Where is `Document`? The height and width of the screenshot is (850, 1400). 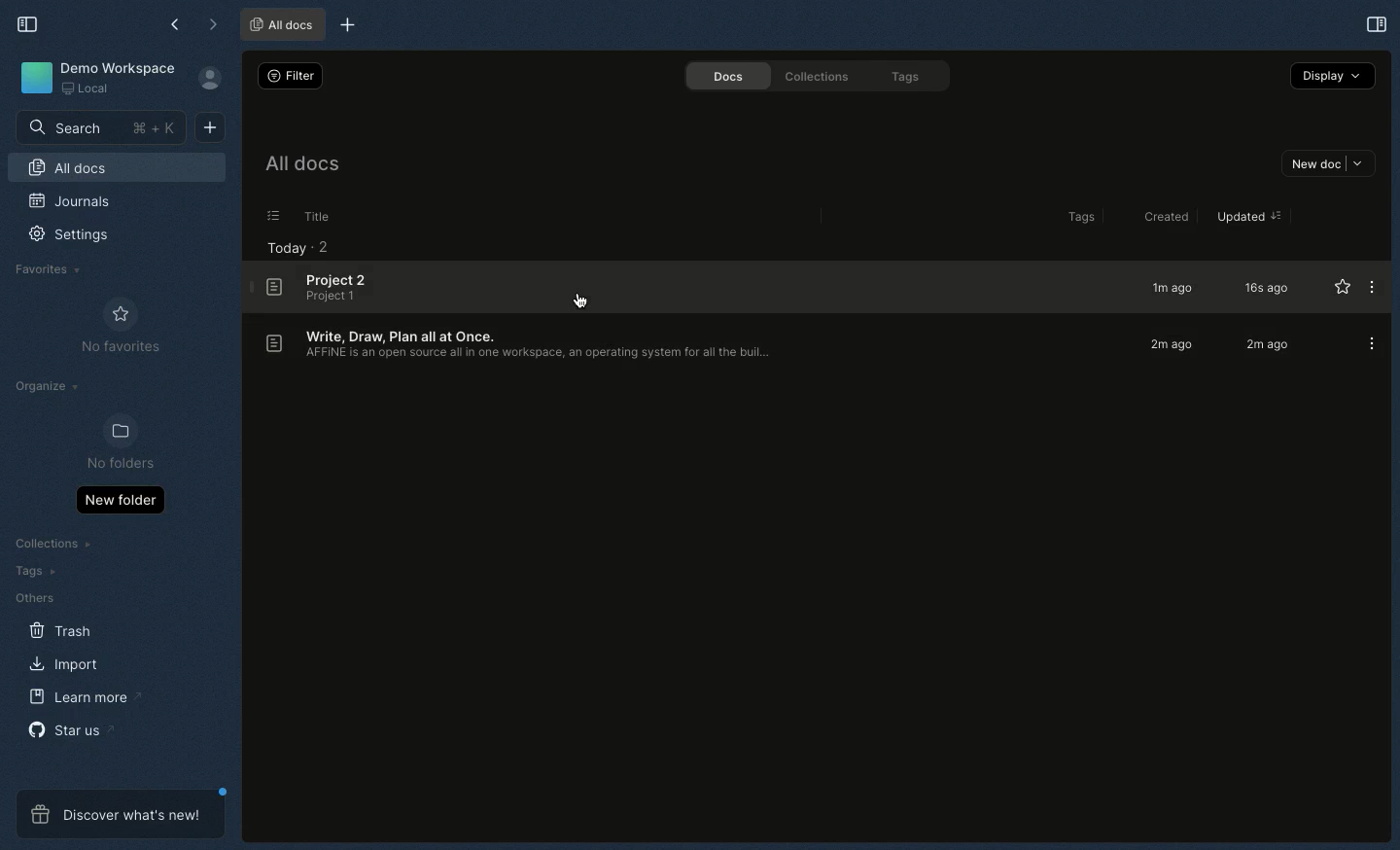 Document is located at coordinates (270, 286).